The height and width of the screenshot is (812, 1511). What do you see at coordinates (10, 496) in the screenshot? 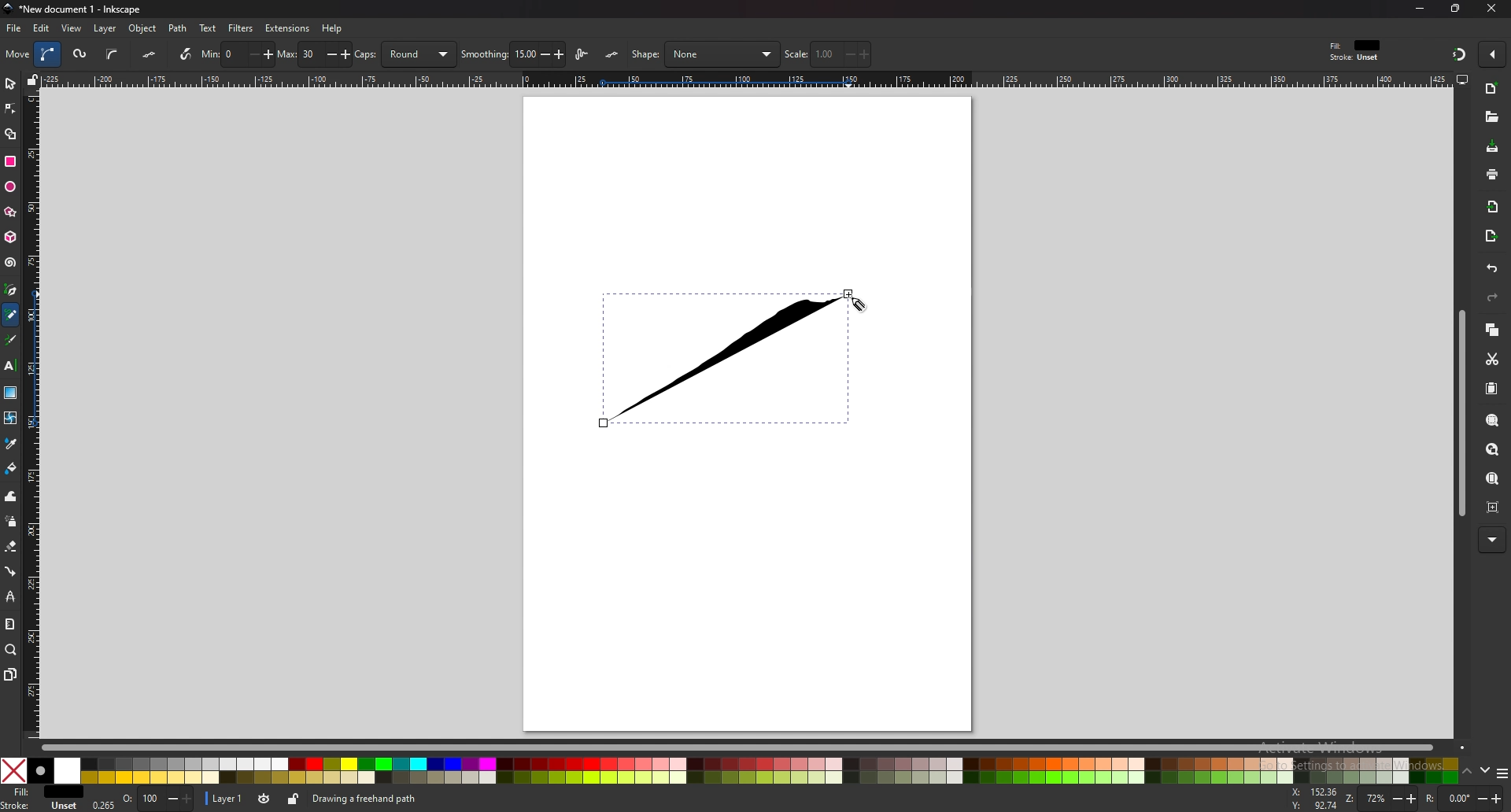
I see `tweak` at bounding box center [10, 496].